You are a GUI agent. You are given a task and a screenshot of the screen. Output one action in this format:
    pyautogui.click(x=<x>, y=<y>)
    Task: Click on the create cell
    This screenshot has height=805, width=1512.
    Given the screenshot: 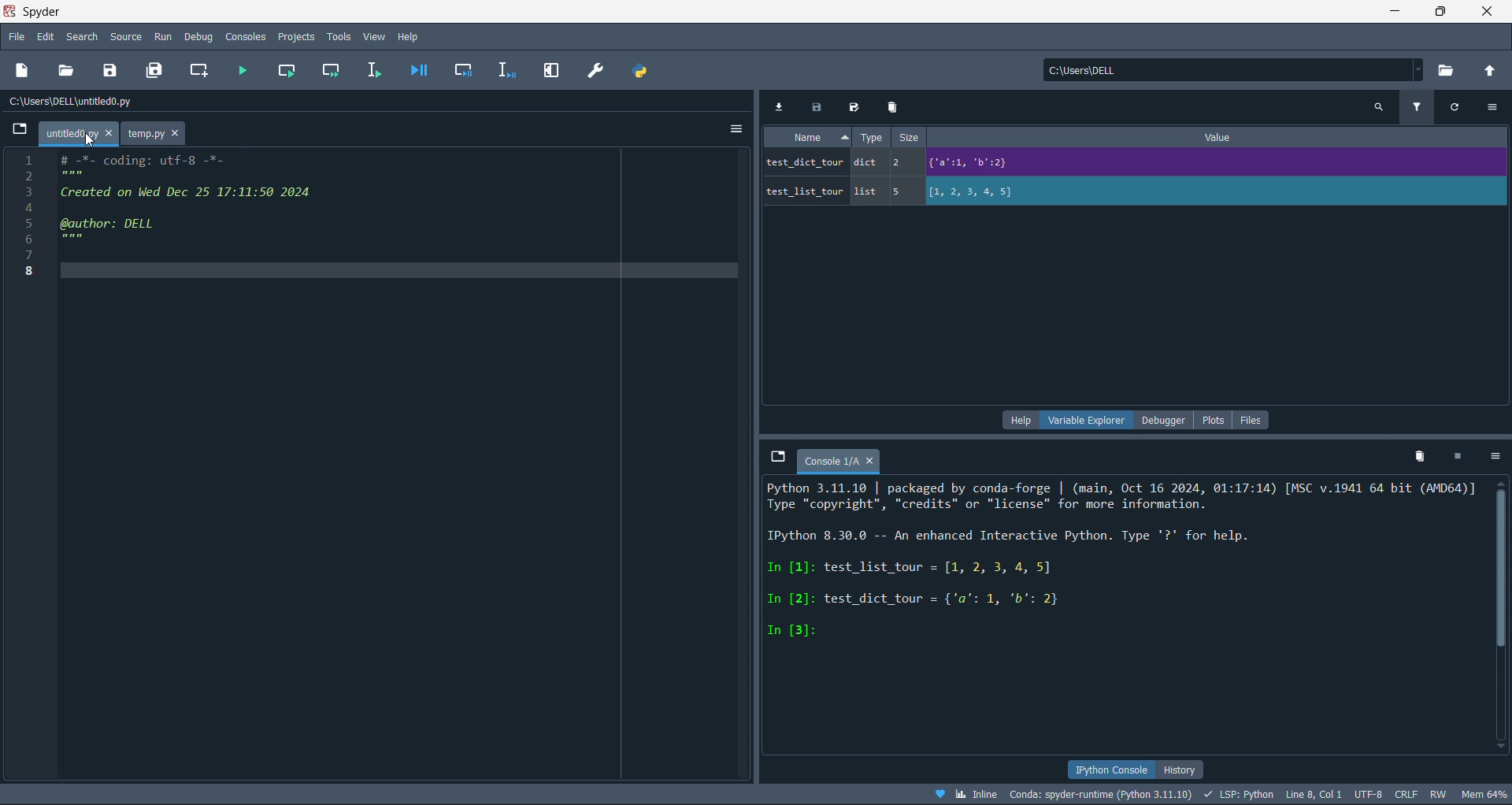 What is the action you would take?
    pyautogui.click(x=198, y=69)
    